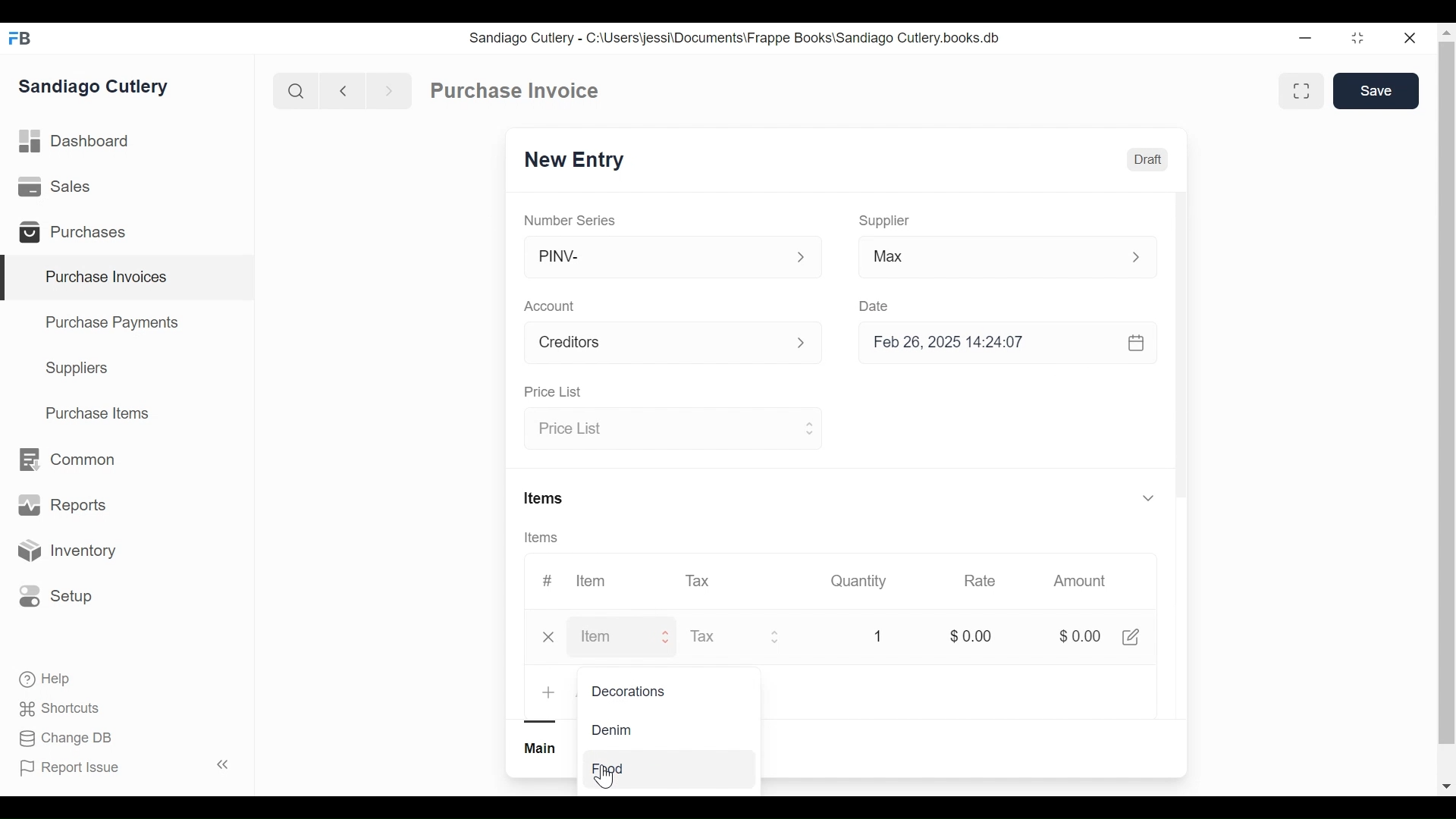 The height and width of the screenshot is (819, 1456). I want to click on Supplier, so click(885, 221).